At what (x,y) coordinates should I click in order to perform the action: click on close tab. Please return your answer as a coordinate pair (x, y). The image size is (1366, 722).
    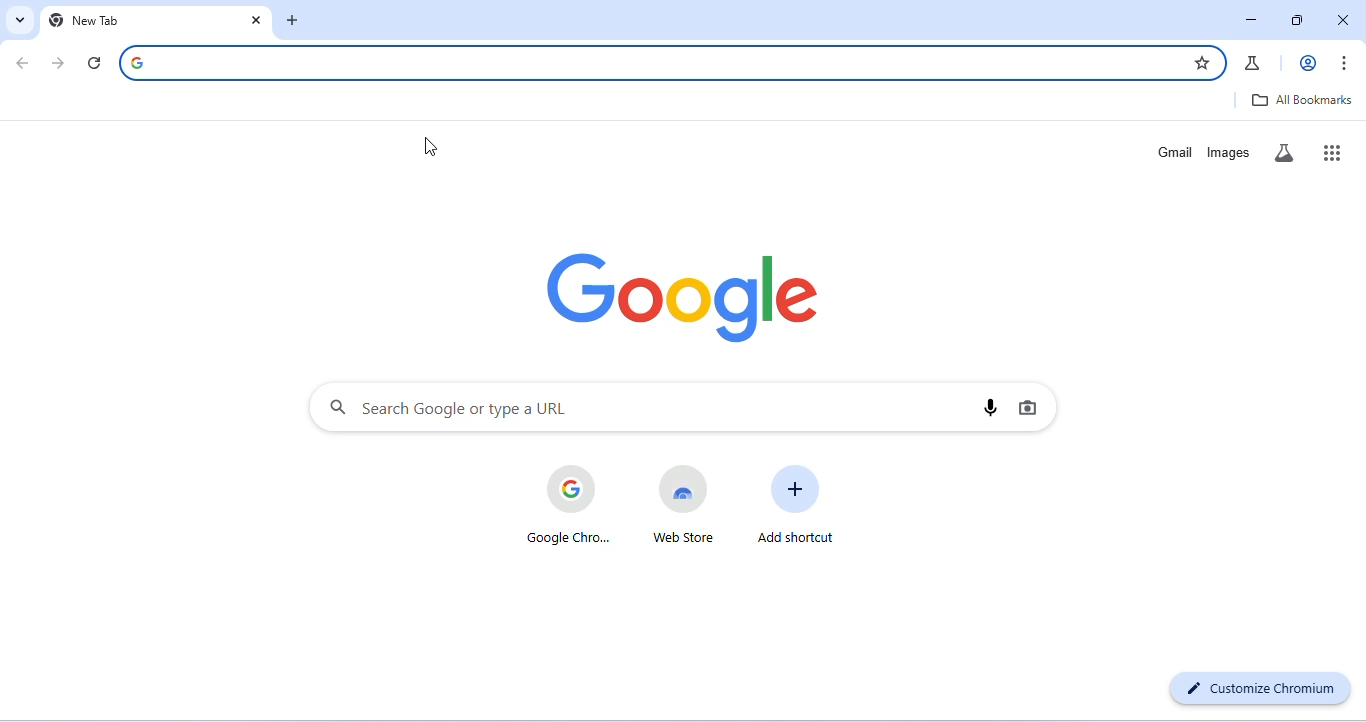
    Looking at the image, I should click on (257, 20).